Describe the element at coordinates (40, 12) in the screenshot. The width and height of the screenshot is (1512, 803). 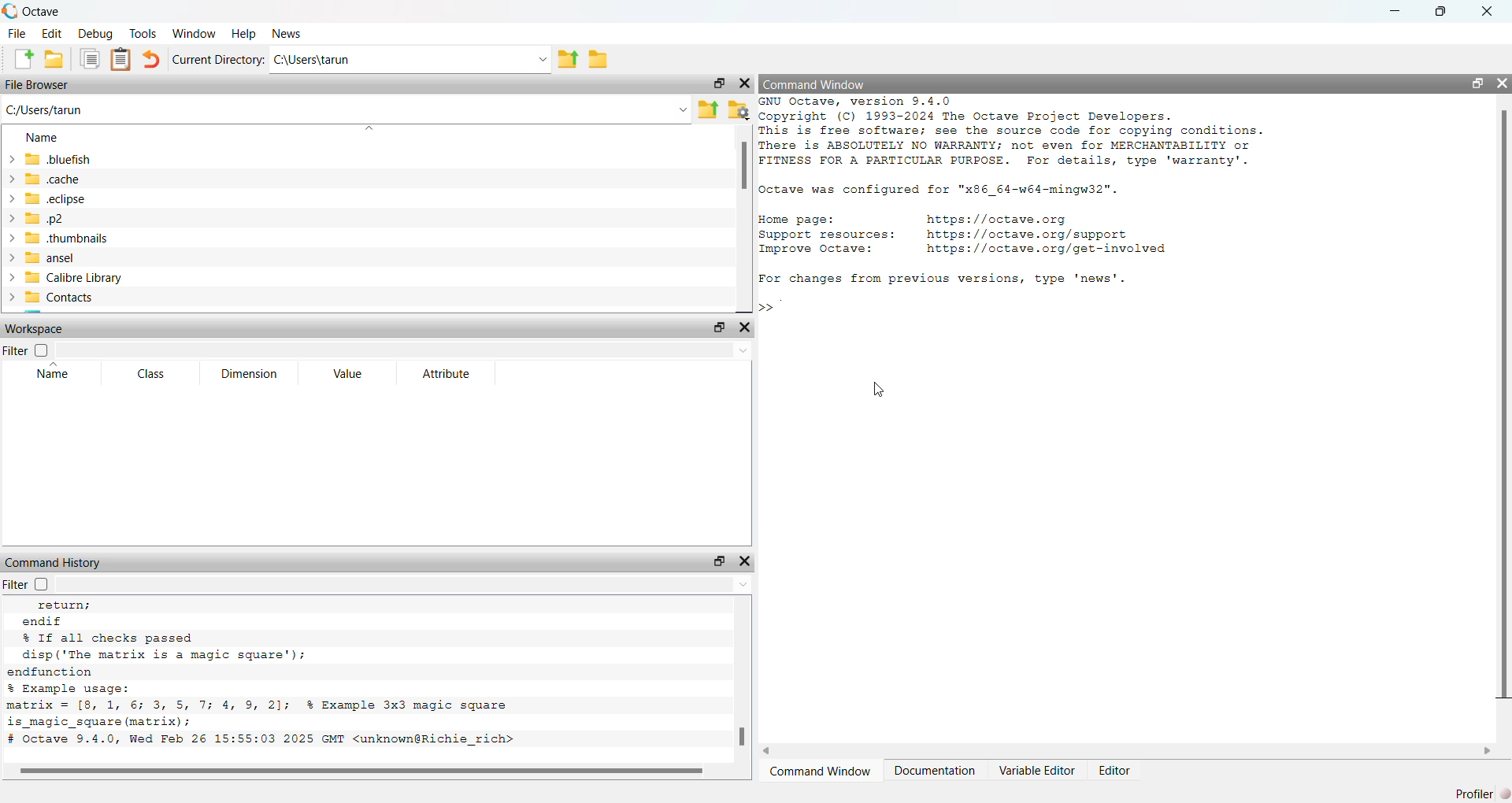
I see `Octave` at that location.